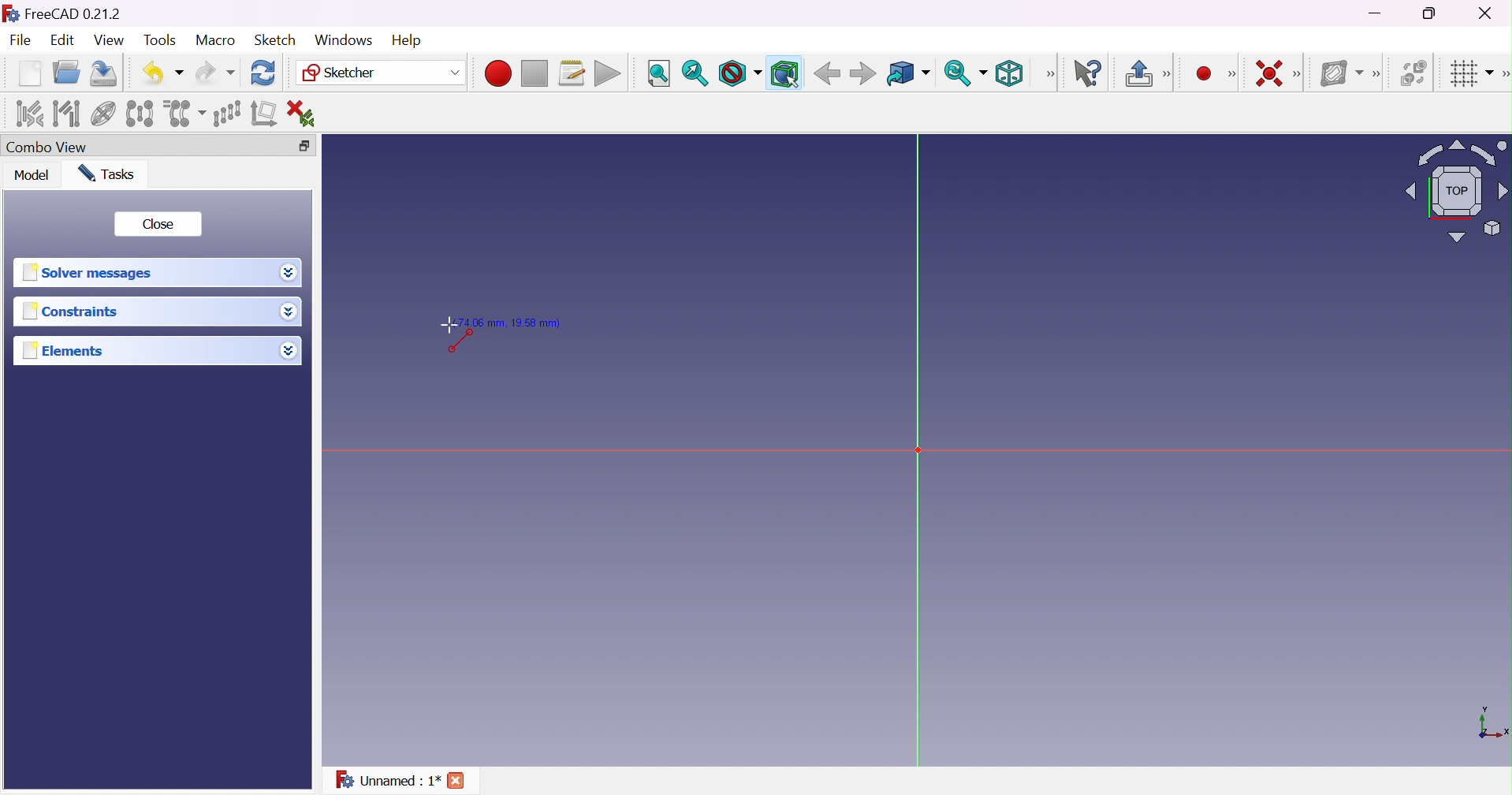  What do you see at coordinates (1415, 73) in the screenshot?
I see `Switch virtual space` at bounding box center [1415, 73].